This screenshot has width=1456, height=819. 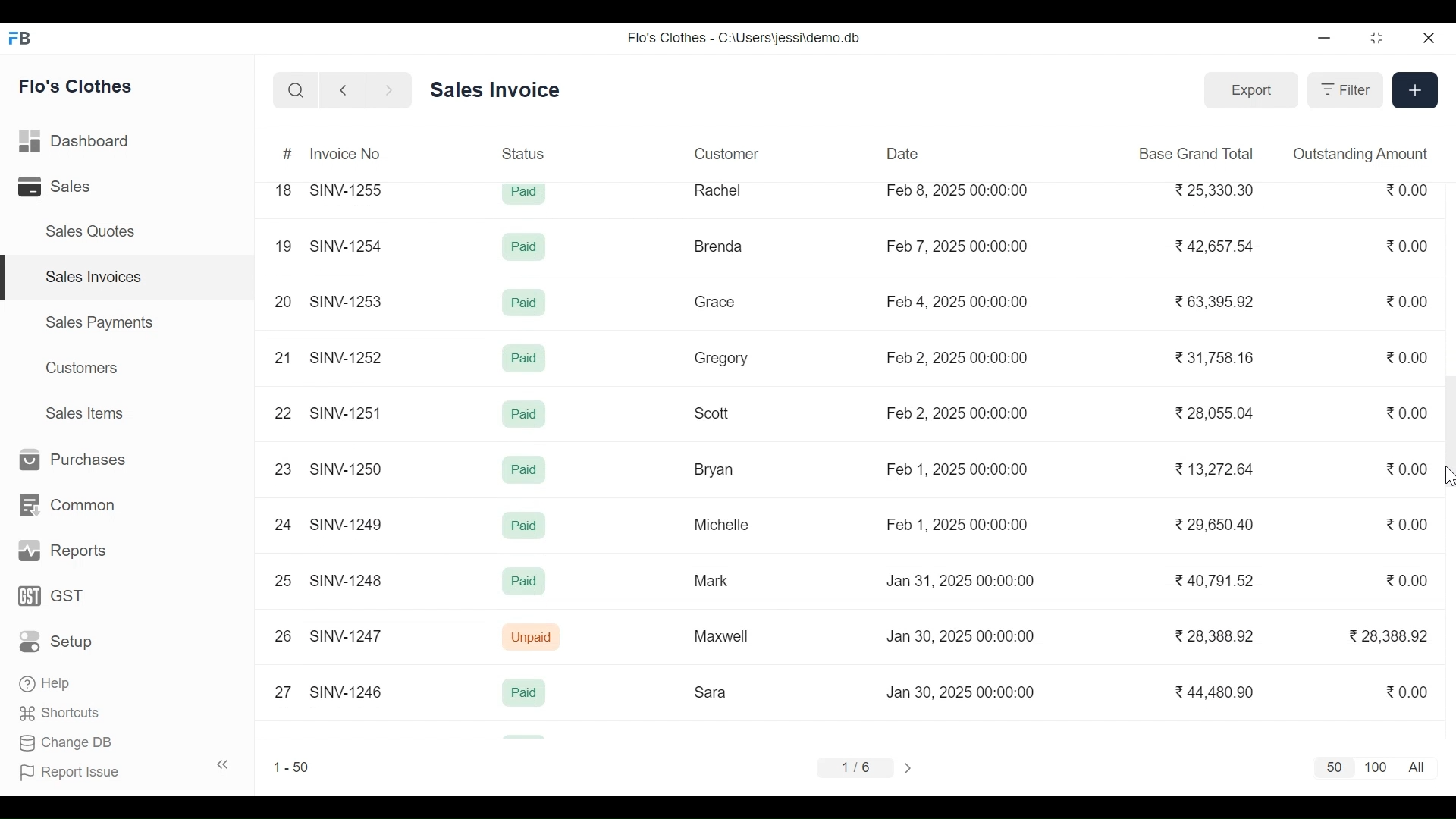 What do you see at coordinates (854, 765) in the screenshot?
I see `1/6` at bounding box center [854, 765].